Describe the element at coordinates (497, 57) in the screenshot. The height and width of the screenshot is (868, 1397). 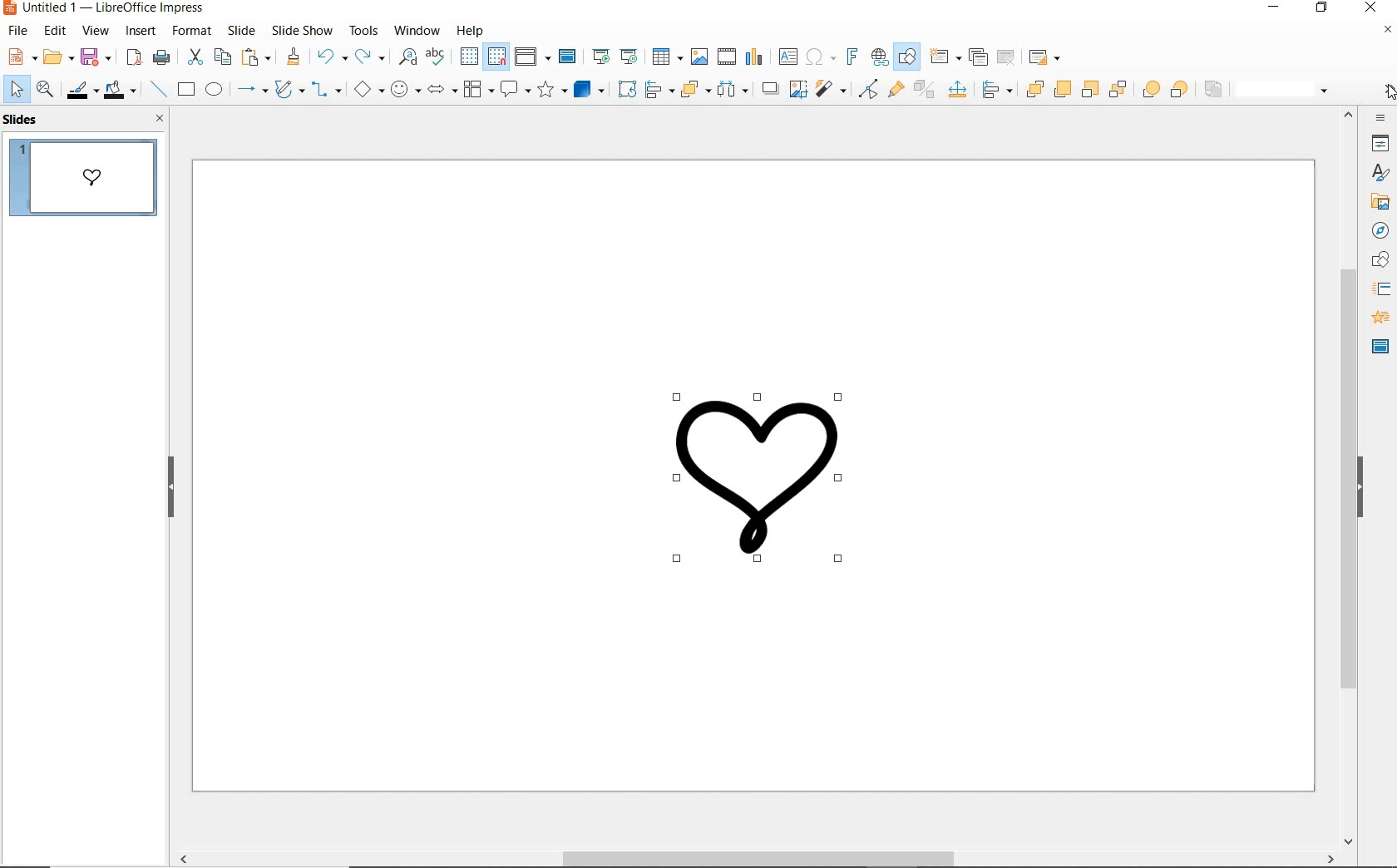
I see `snap to grid` at that location.